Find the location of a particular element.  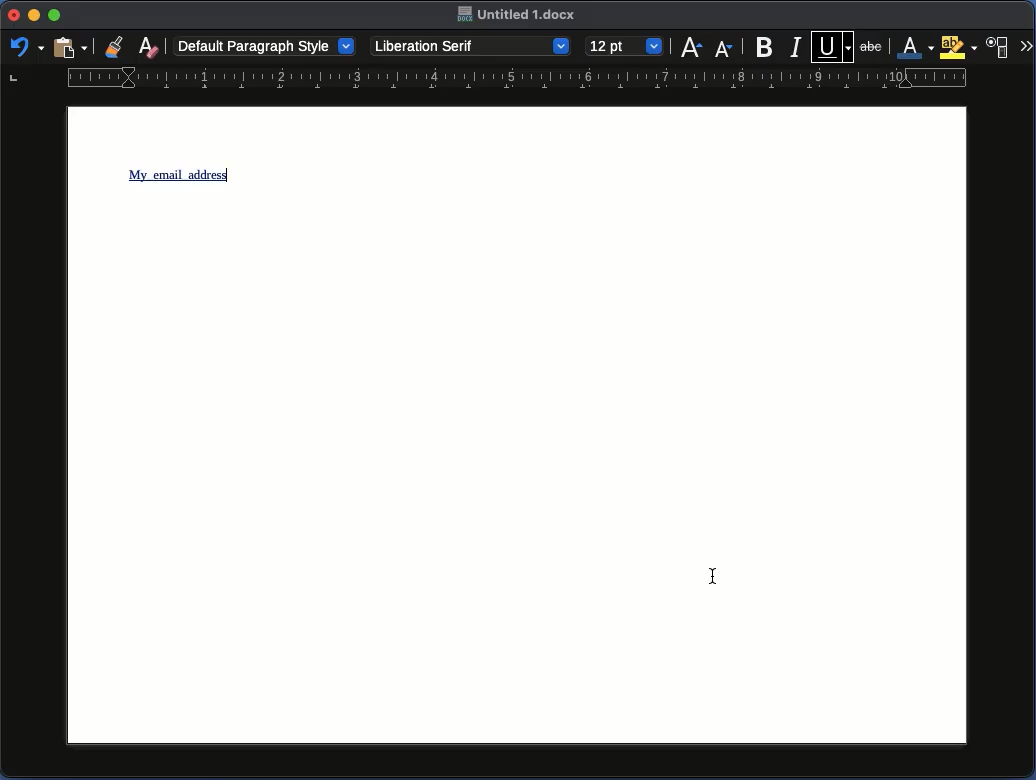

abc is located at coordinates (874, 45).